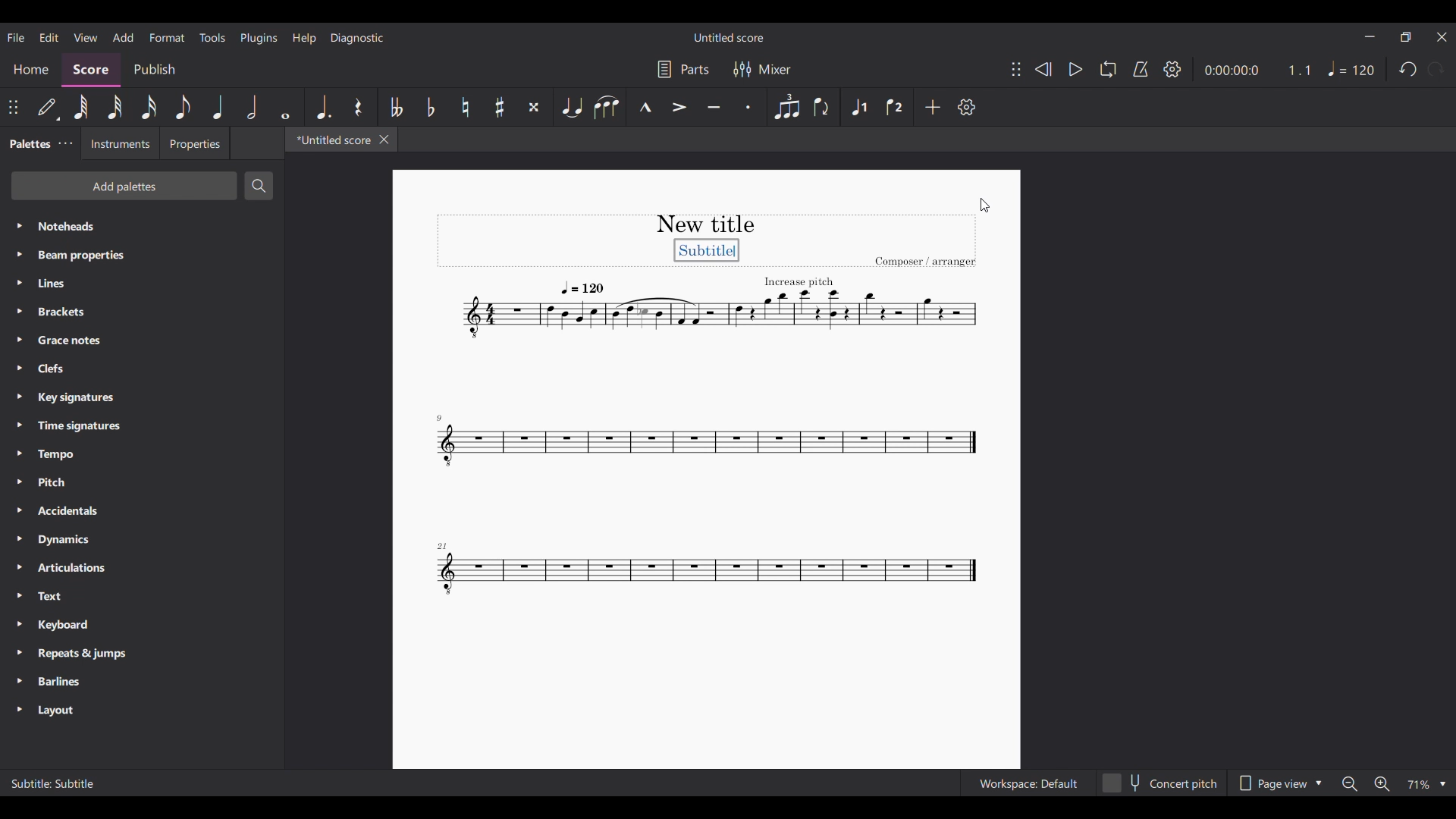 This screenshot has height=819, width=1456. I want to click on Barlines, so click(142, 682).